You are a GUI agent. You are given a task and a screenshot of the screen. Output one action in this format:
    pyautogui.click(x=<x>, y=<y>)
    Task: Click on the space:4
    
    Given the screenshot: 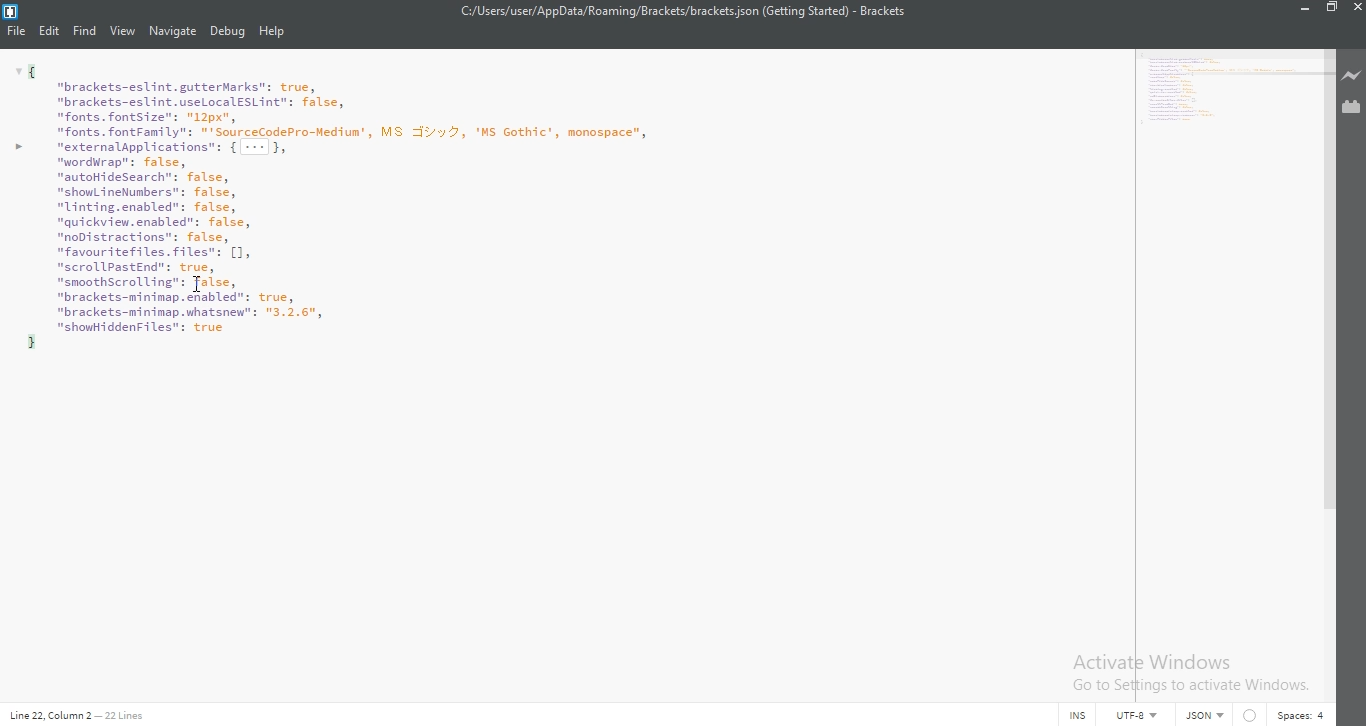 What is the action you would take?
    pyautogui.click(x=1301, y=715)
    